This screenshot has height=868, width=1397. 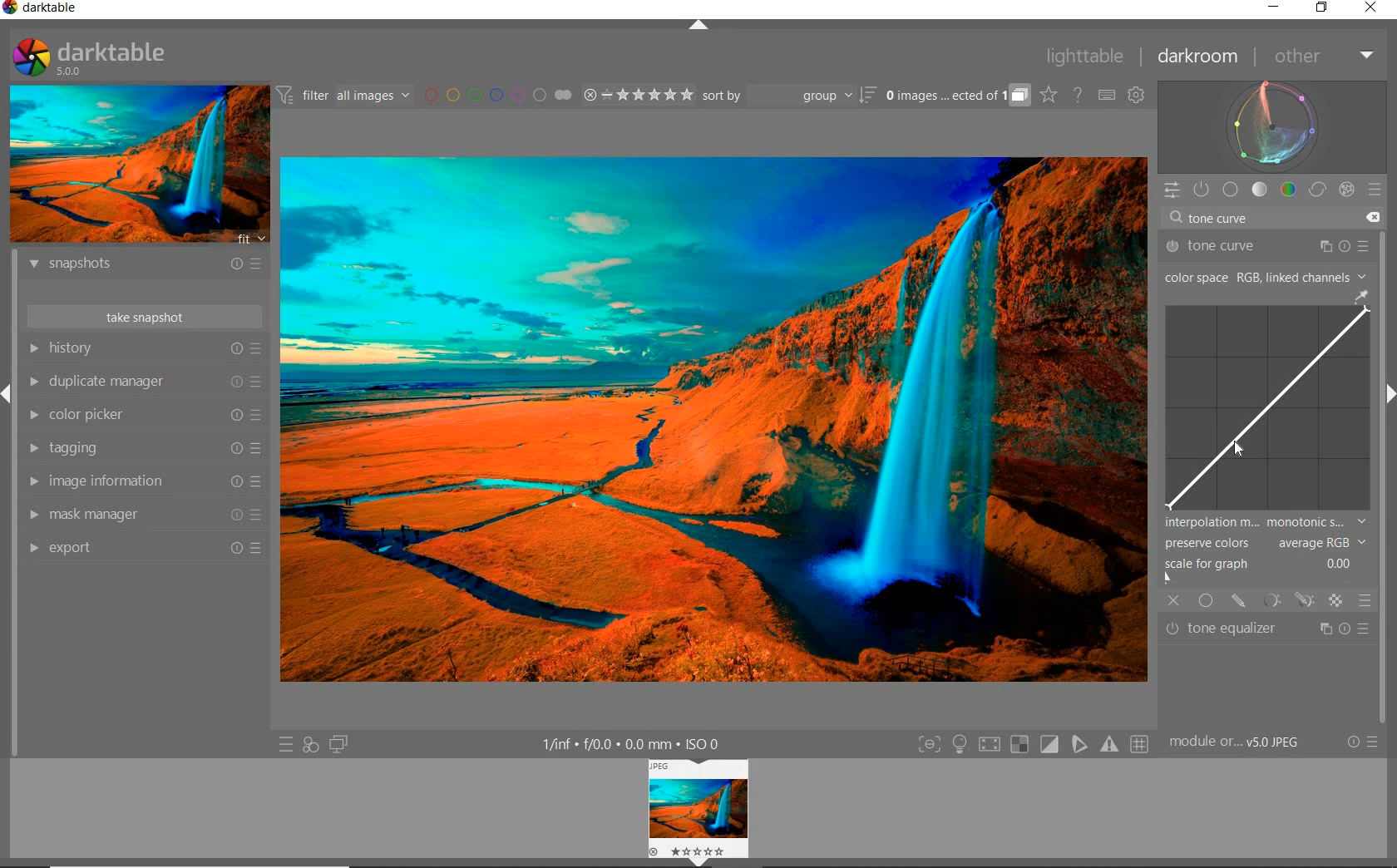 What do you see at coordinates (711, 417) in the screenshot?
I see `SELECTED IMAGE` at bounding box center [711, 417].